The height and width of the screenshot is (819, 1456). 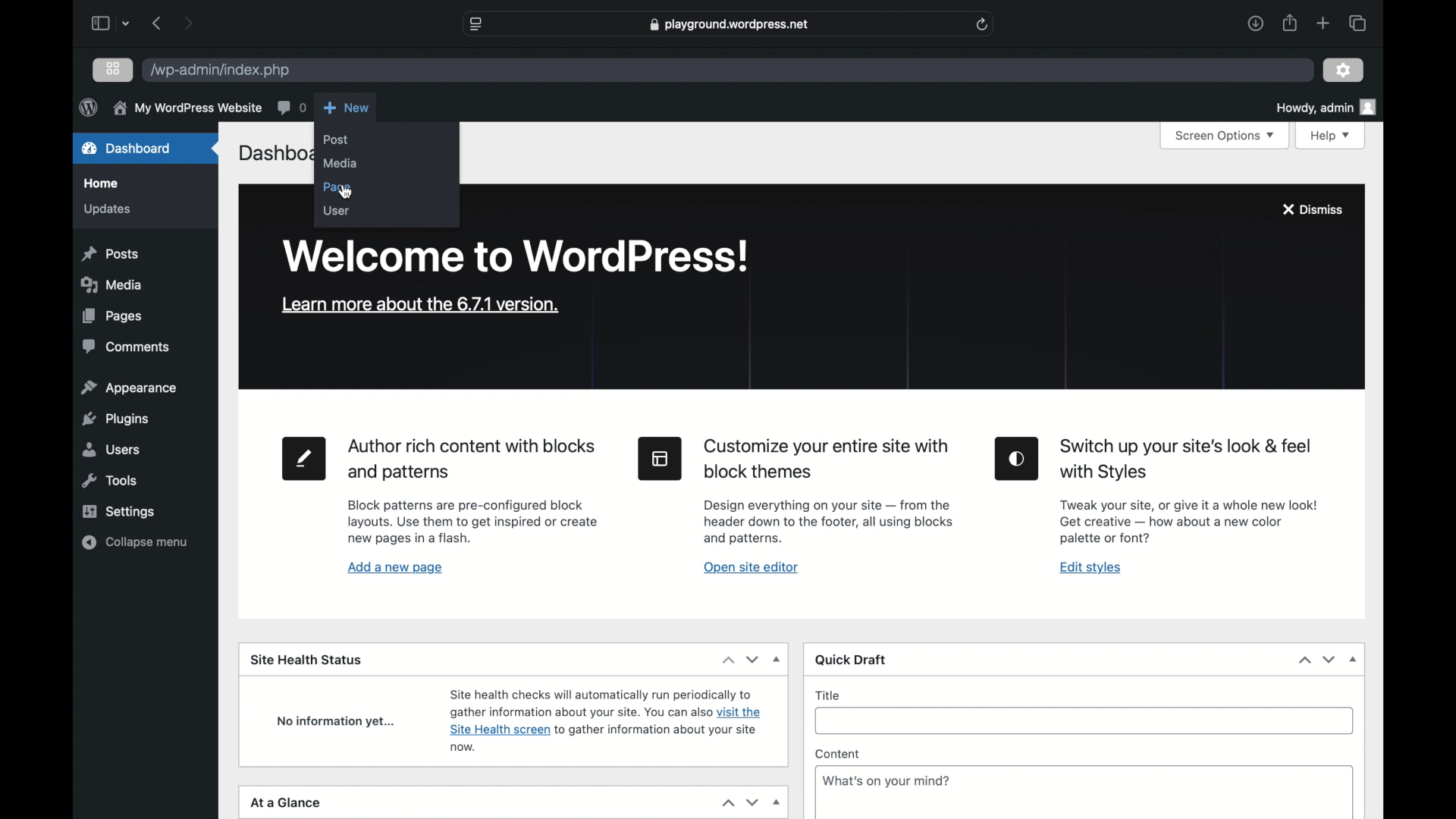 What do you see at coordinates (661, 459) in the screenshot?
I see `site editor` at bounding box center [661, 459].